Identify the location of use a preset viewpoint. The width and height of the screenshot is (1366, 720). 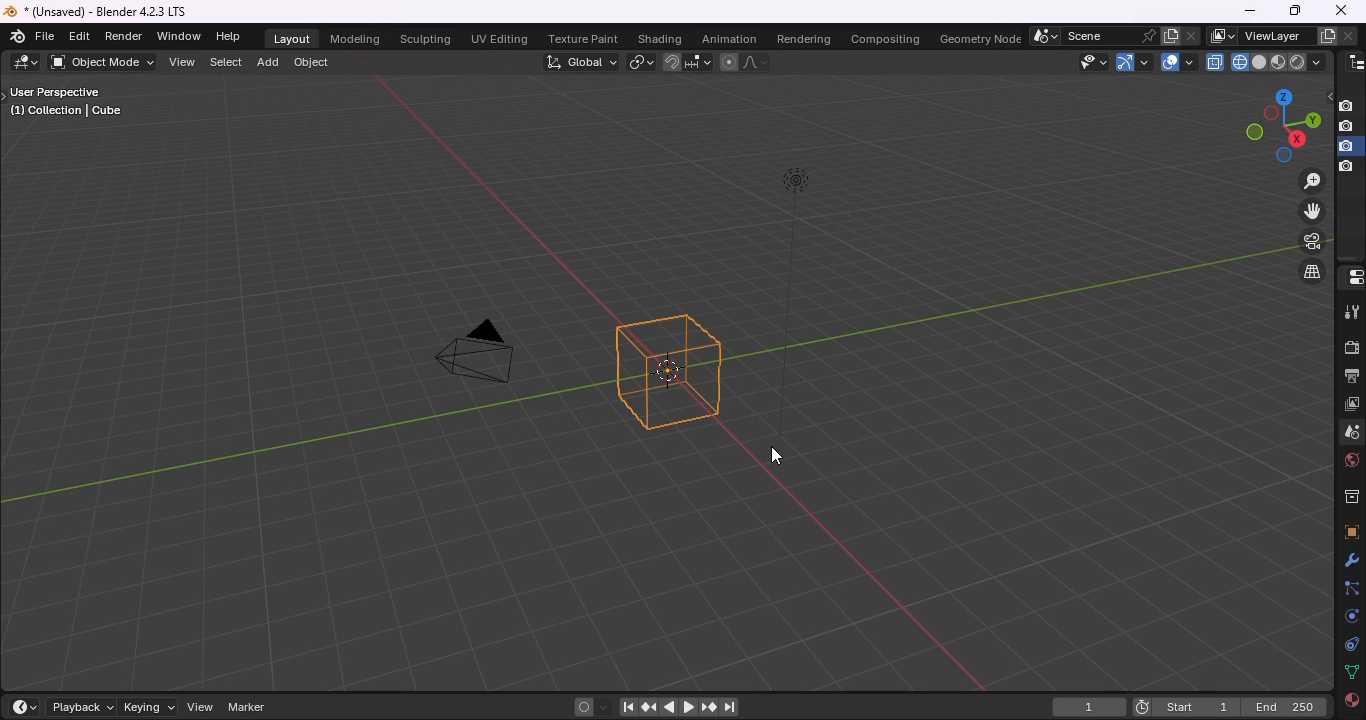
(1276, 126).